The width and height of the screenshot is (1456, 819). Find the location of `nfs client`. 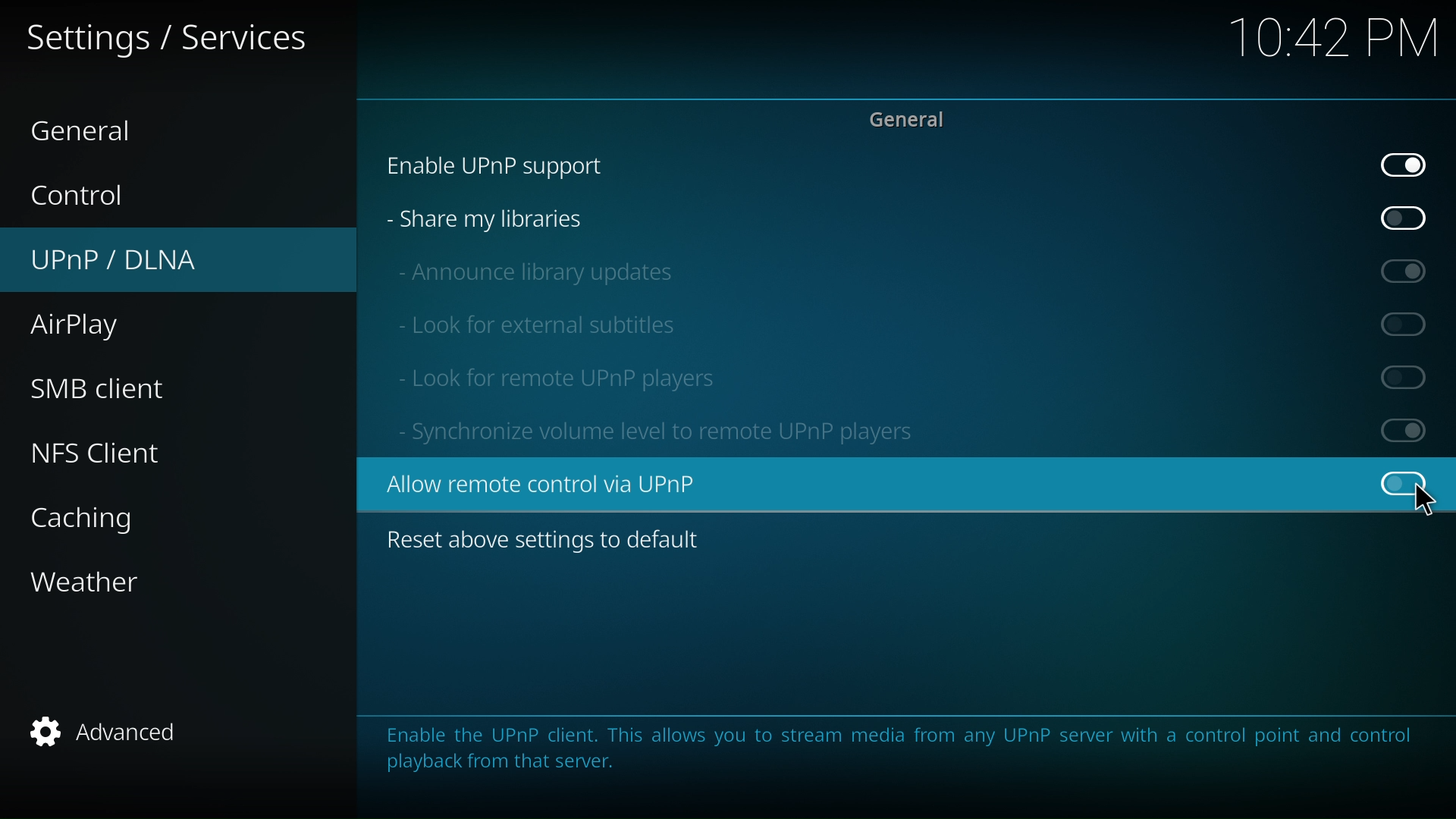

nfs client is located at coordinates (109, 456).